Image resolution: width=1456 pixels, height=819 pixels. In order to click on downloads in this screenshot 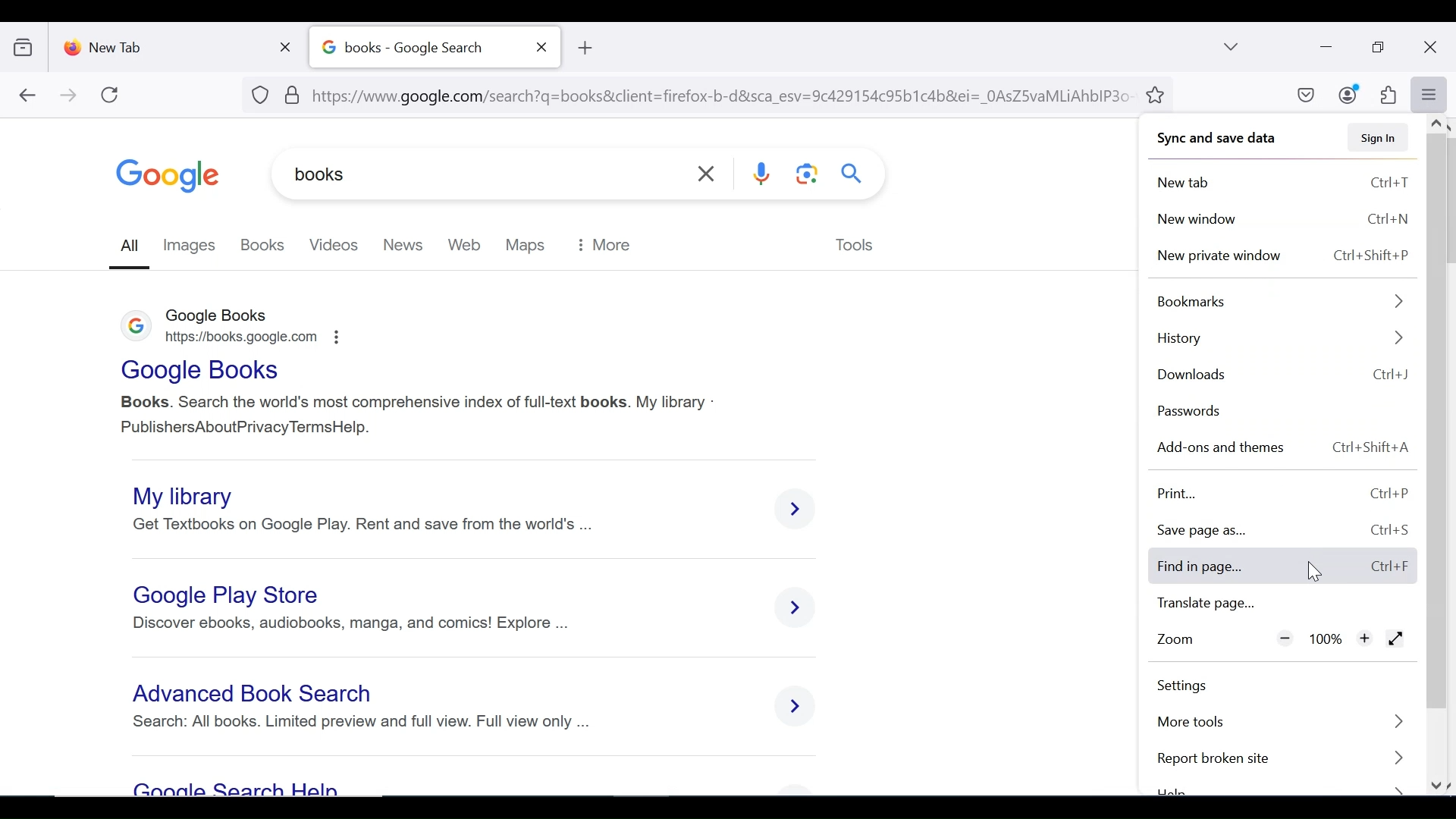, I will do `click(1281, 373)`.